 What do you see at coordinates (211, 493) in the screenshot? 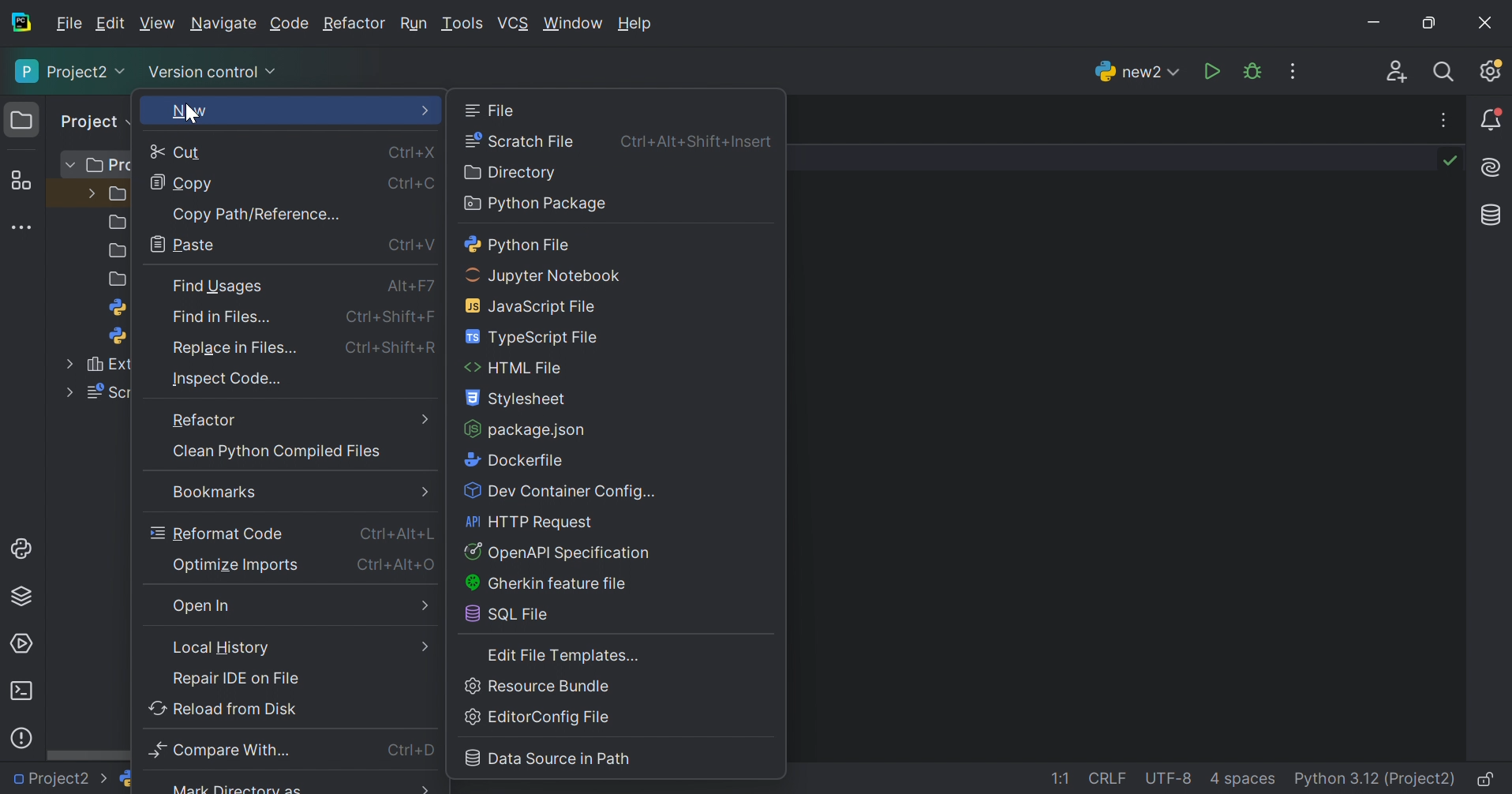
I see `bookmarks` at bounding box center [211, 493].